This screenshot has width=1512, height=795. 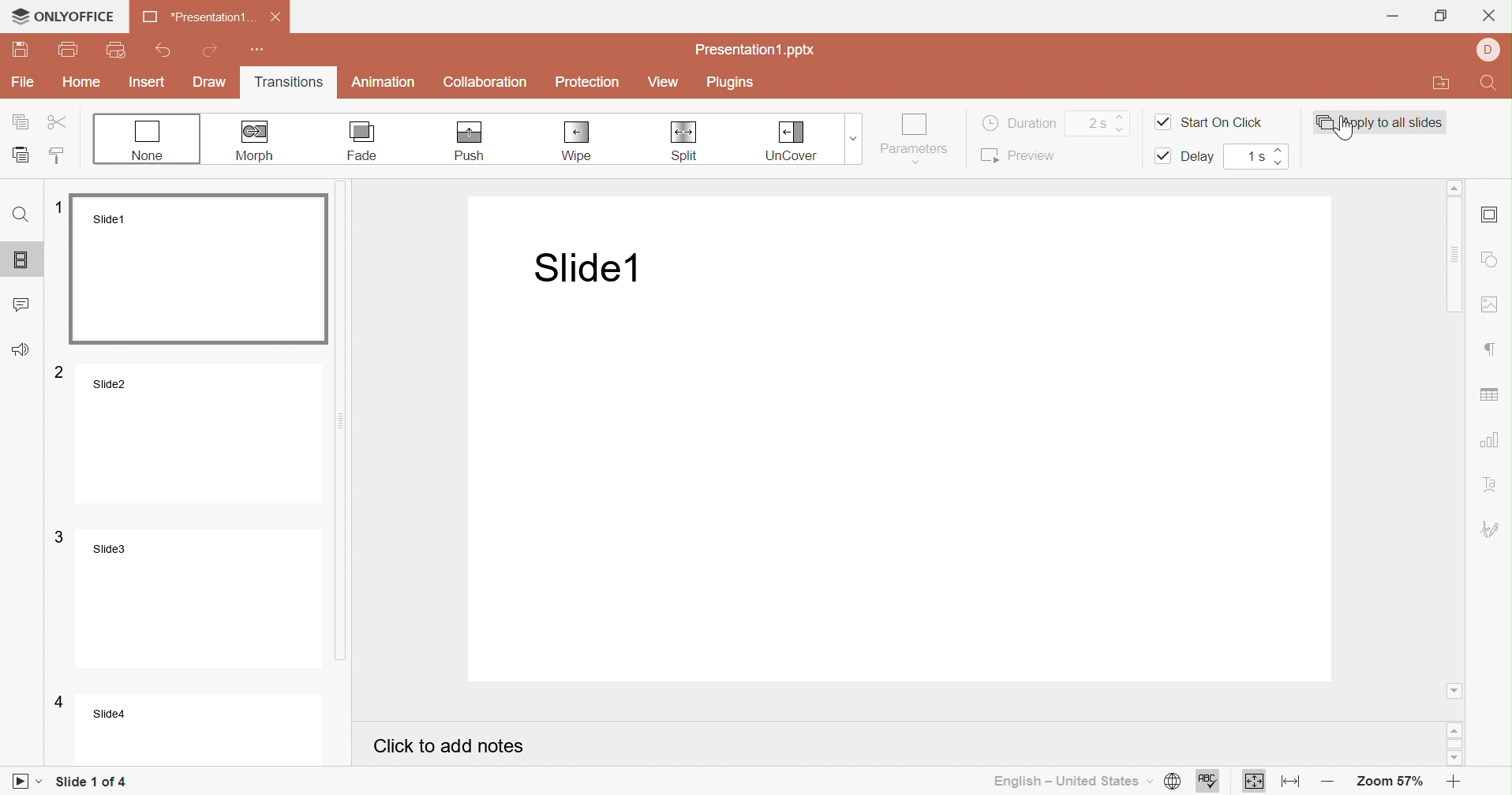 What do you see at coordinates (21, 304) in the screenshot?
I see `Comments` at bounding box center [21, 304].